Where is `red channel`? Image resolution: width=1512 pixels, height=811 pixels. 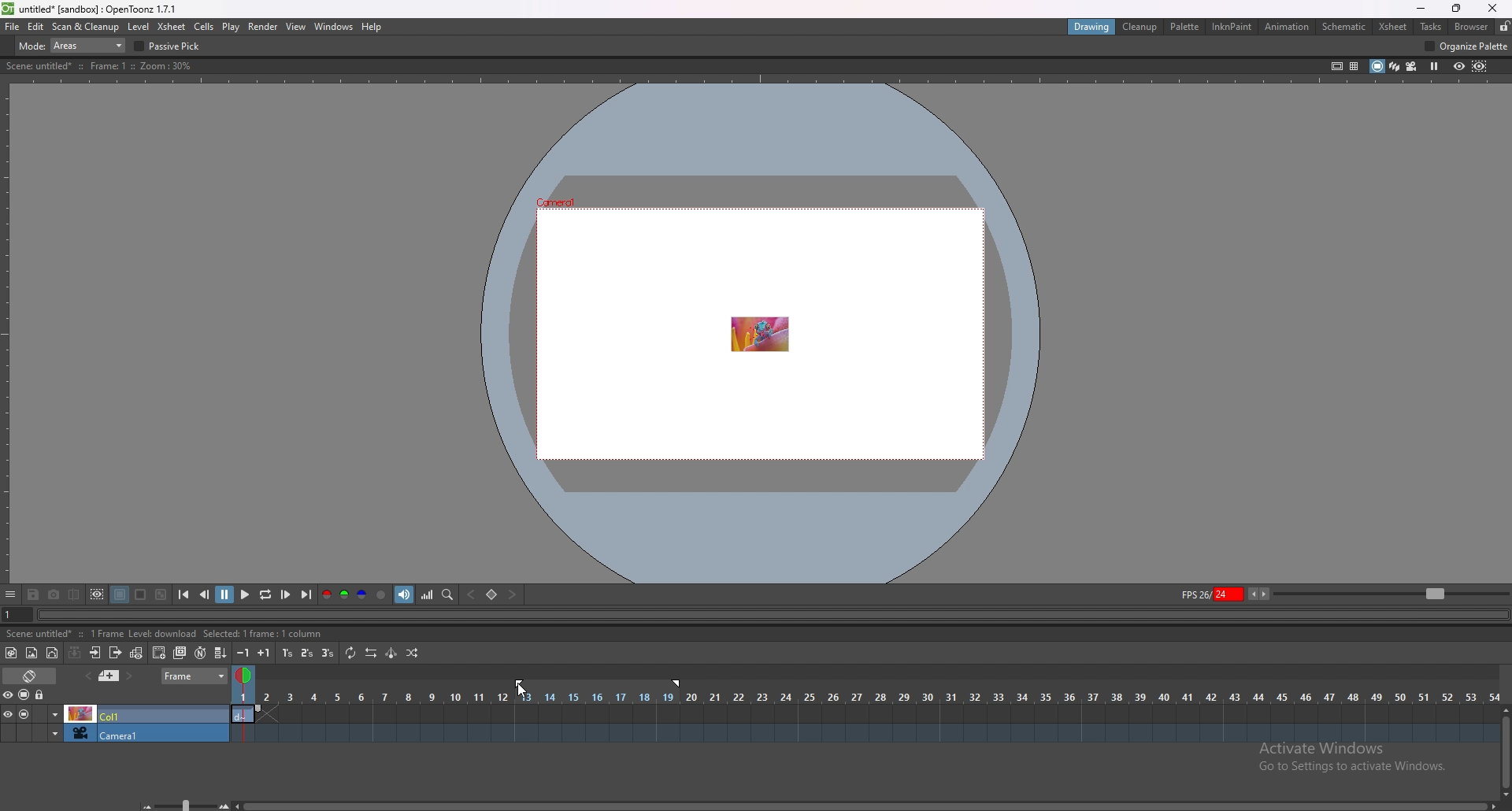
red channel is located at coordinates (326, 594).